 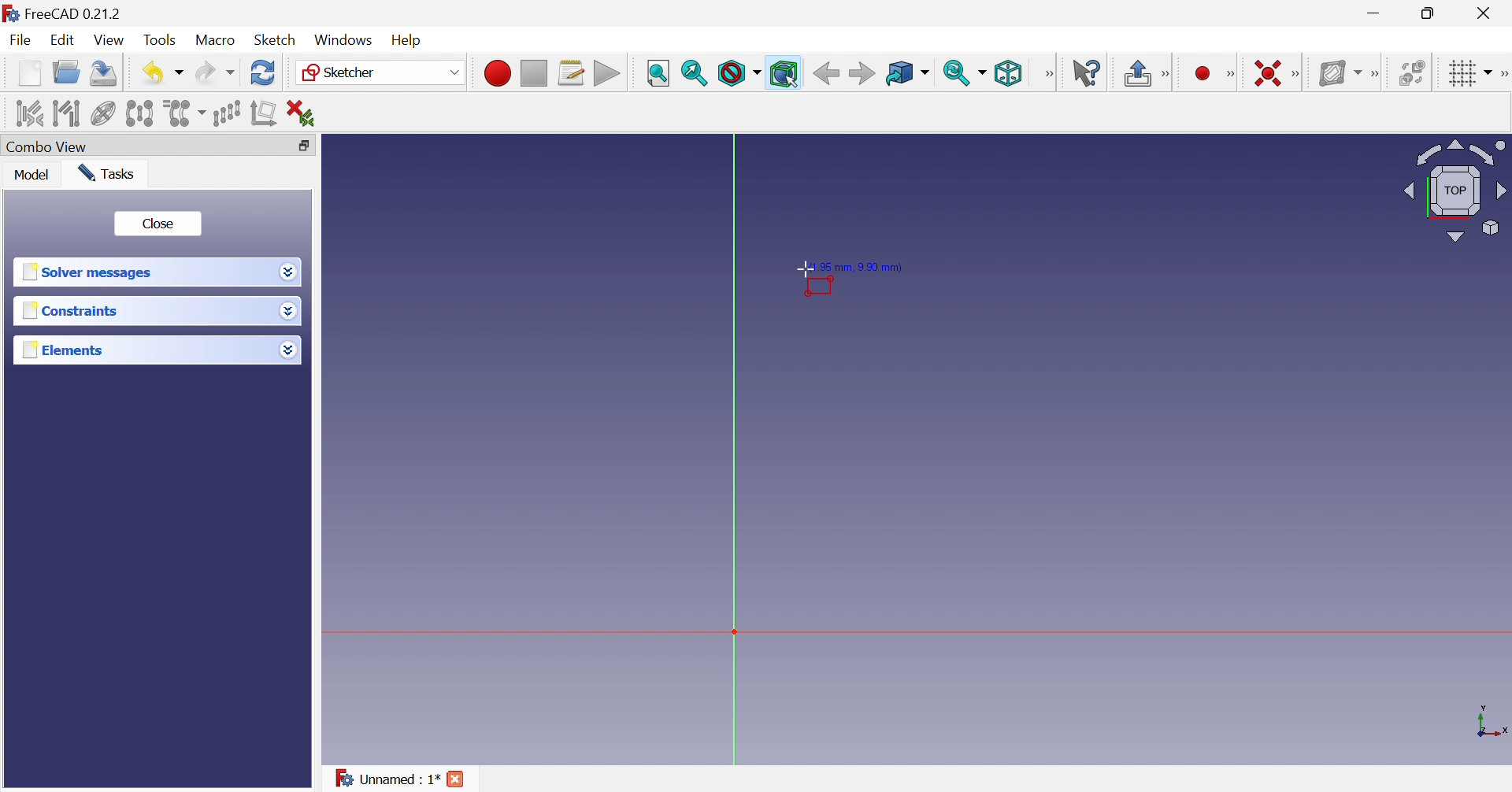 I want to click on Fit selection, so click(x=695, y=72).